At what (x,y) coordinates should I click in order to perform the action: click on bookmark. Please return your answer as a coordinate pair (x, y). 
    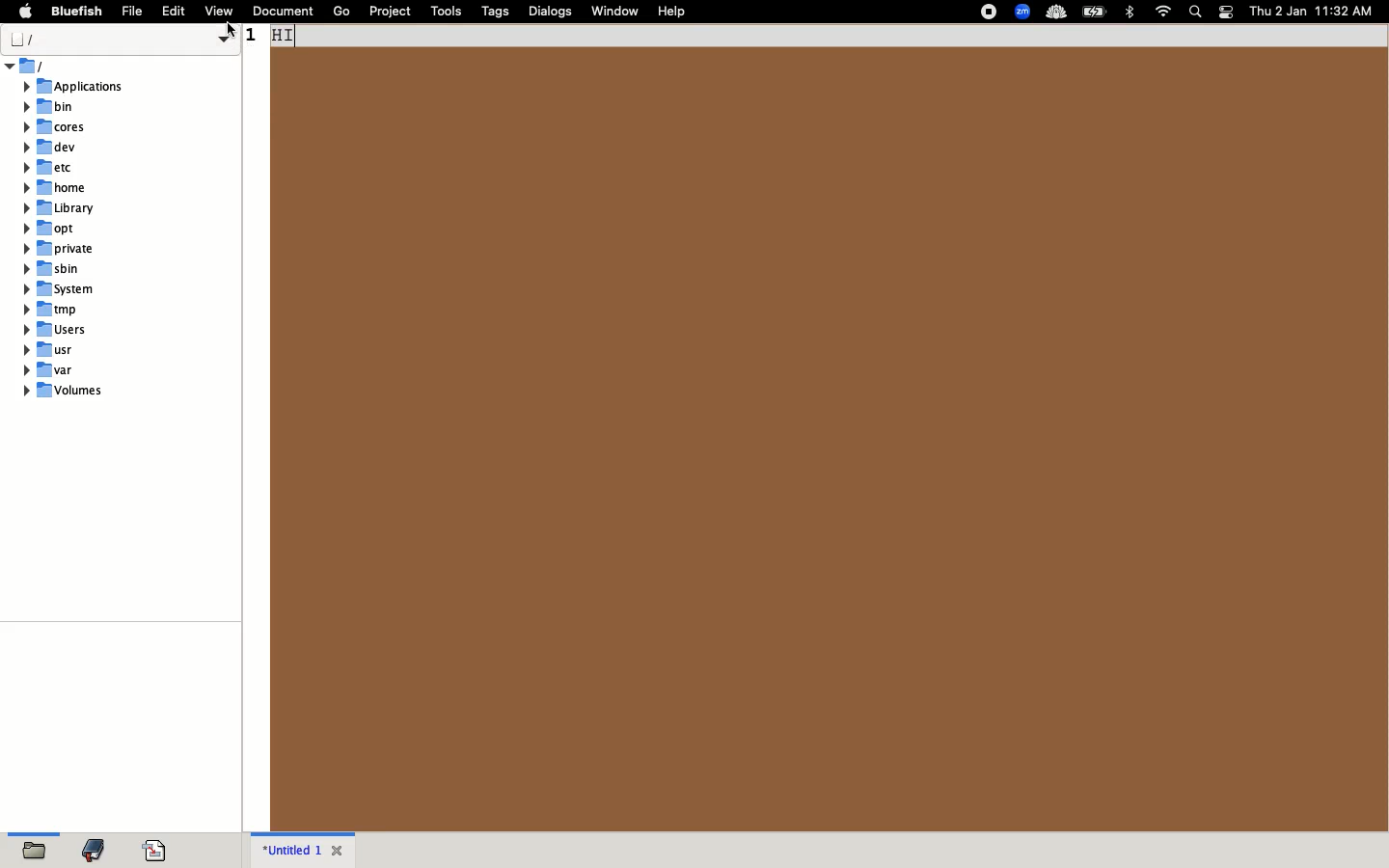
    Looking at the image, I should click on (94, 847).